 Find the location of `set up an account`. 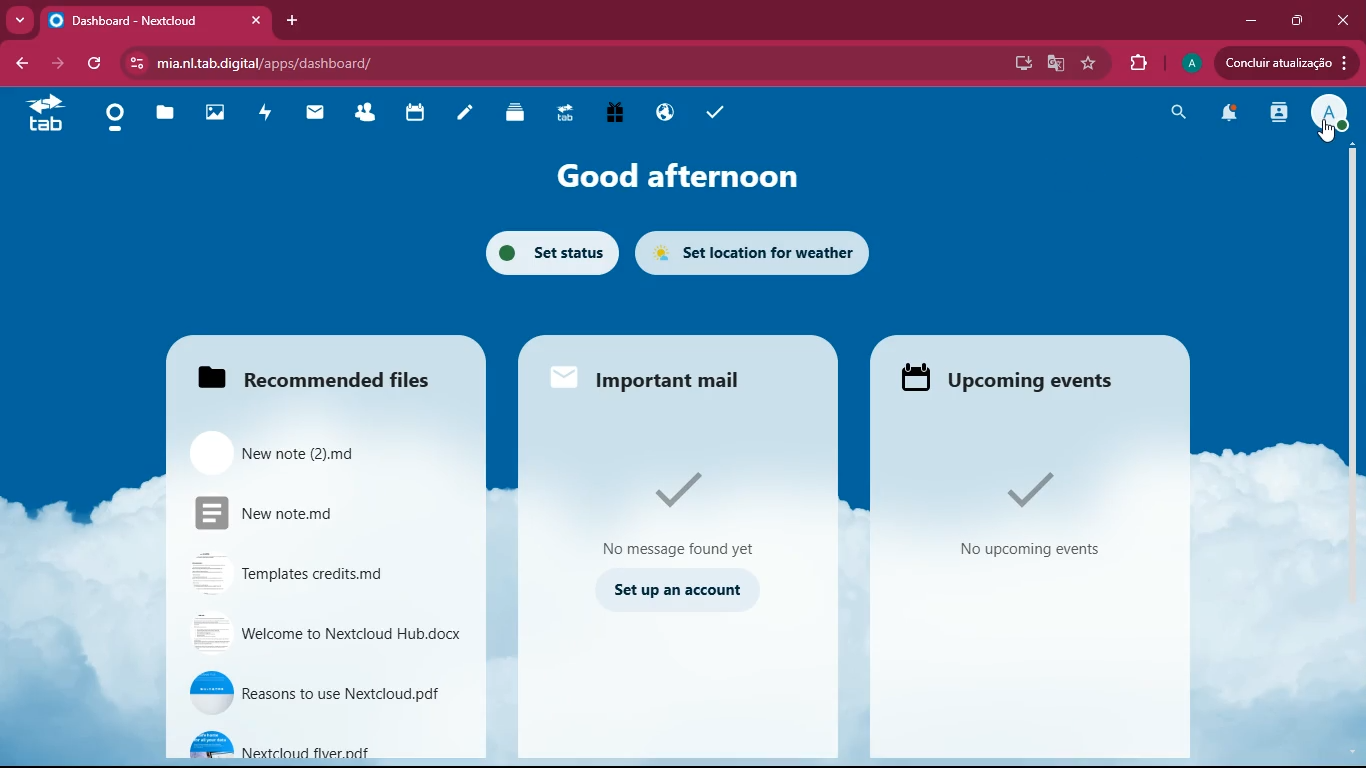

set up an account is located at coordinates (668, 588).